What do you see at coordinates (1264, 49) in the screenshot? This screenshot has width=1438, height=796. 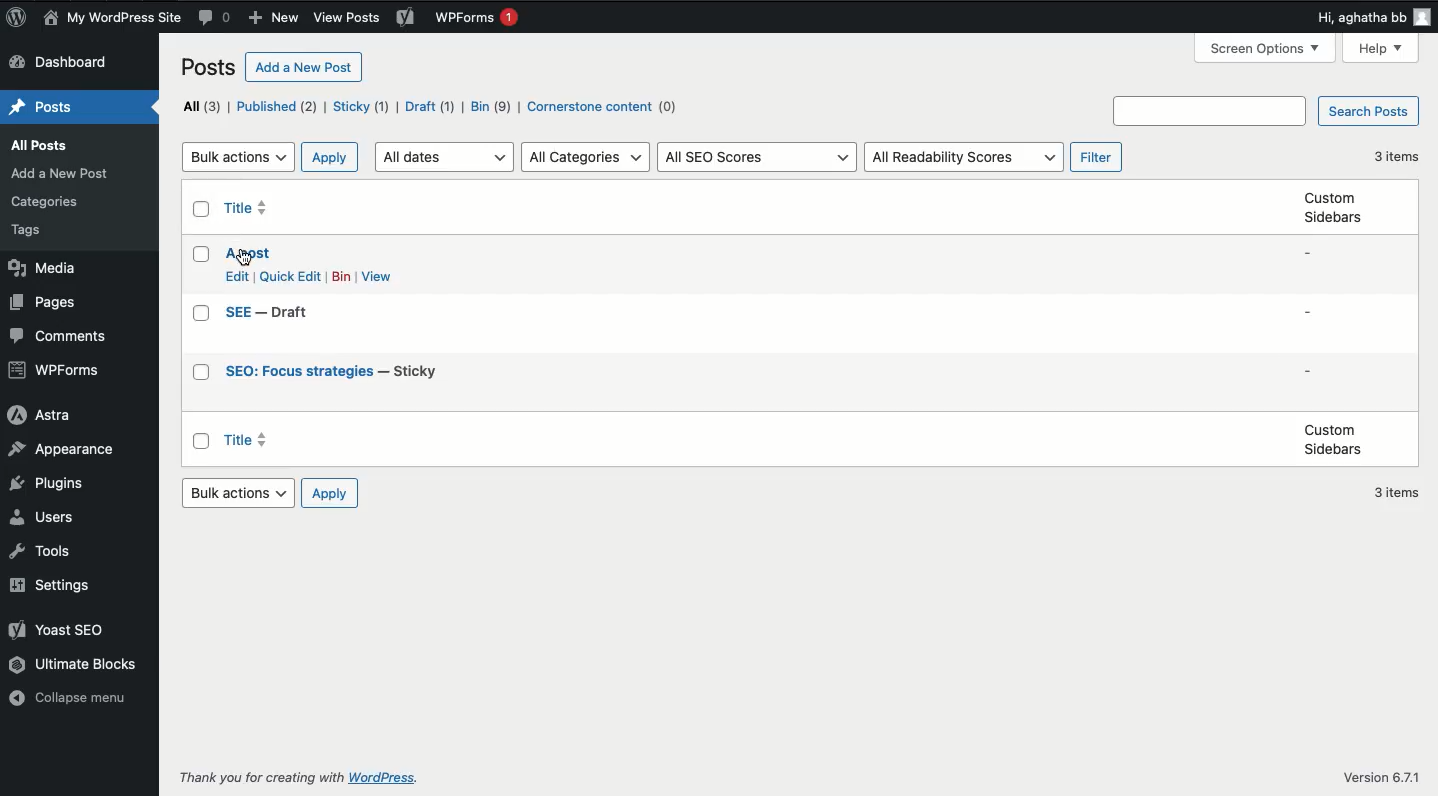 I see `Screen options` at bounding box center [1264, 49].